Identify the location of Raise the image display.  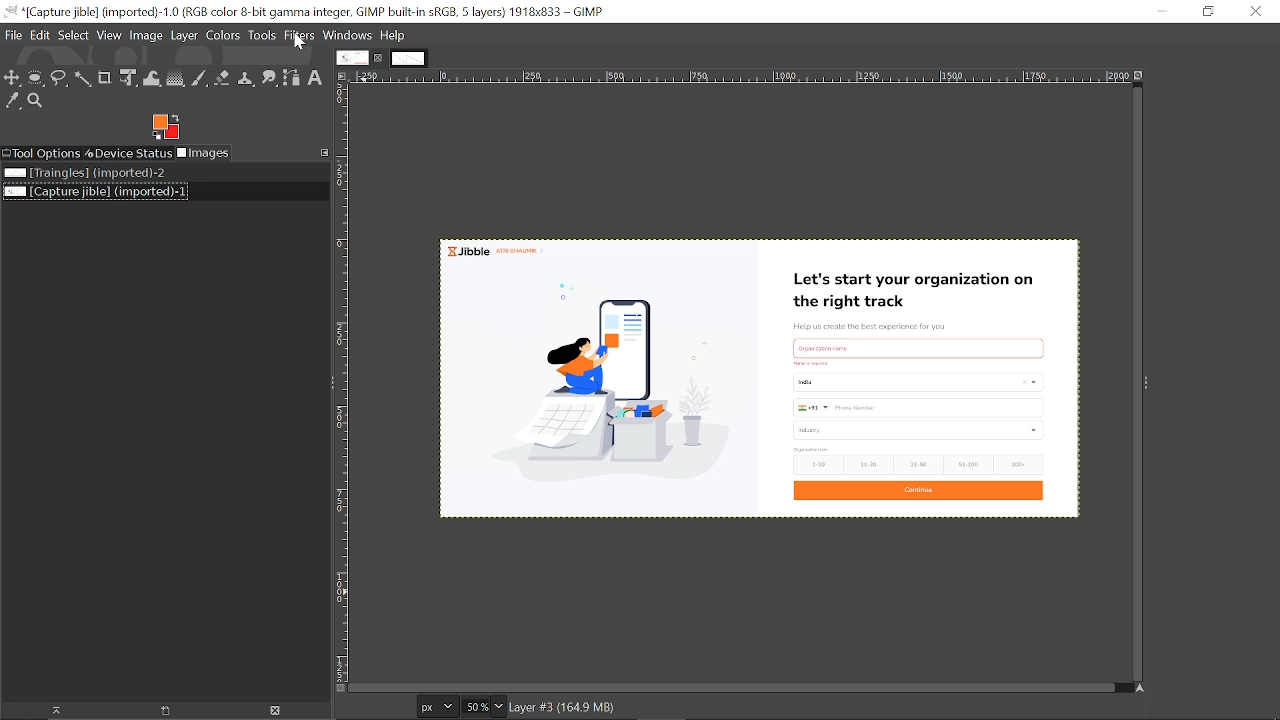
(51, 711).